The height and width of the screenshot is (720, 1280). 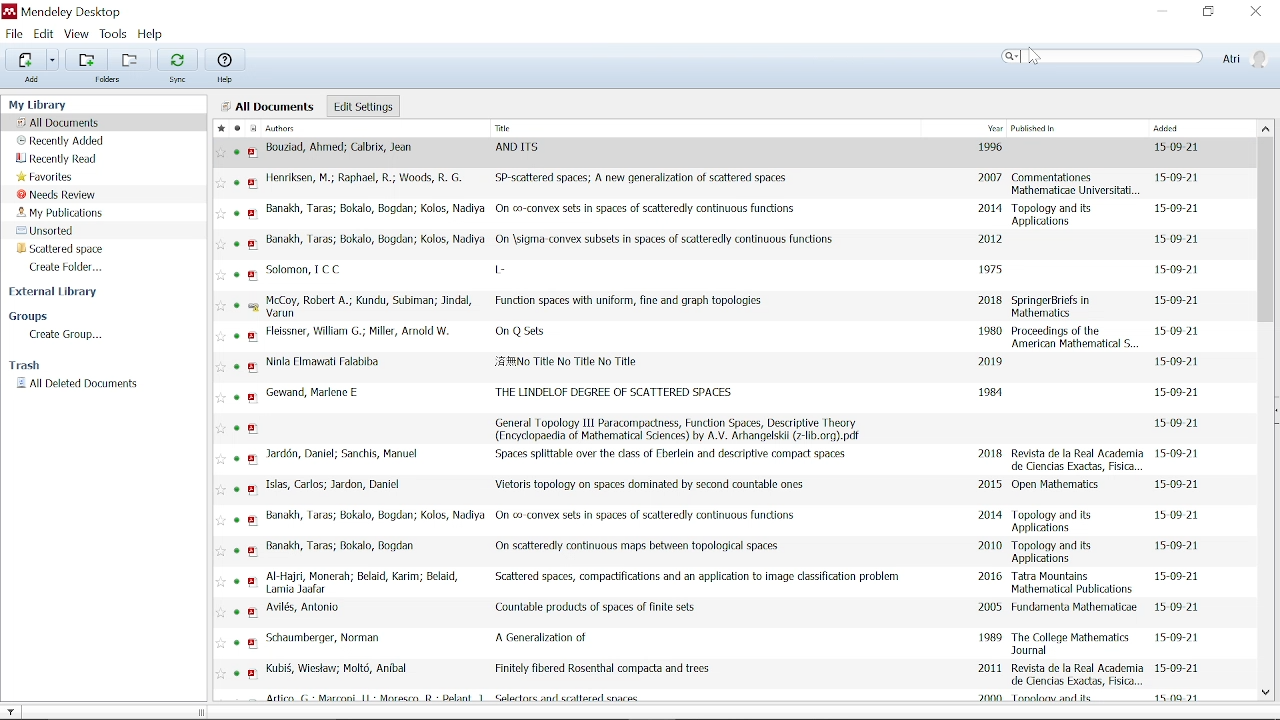 I want to click on Add to favorite, so click(x=221, y=612).